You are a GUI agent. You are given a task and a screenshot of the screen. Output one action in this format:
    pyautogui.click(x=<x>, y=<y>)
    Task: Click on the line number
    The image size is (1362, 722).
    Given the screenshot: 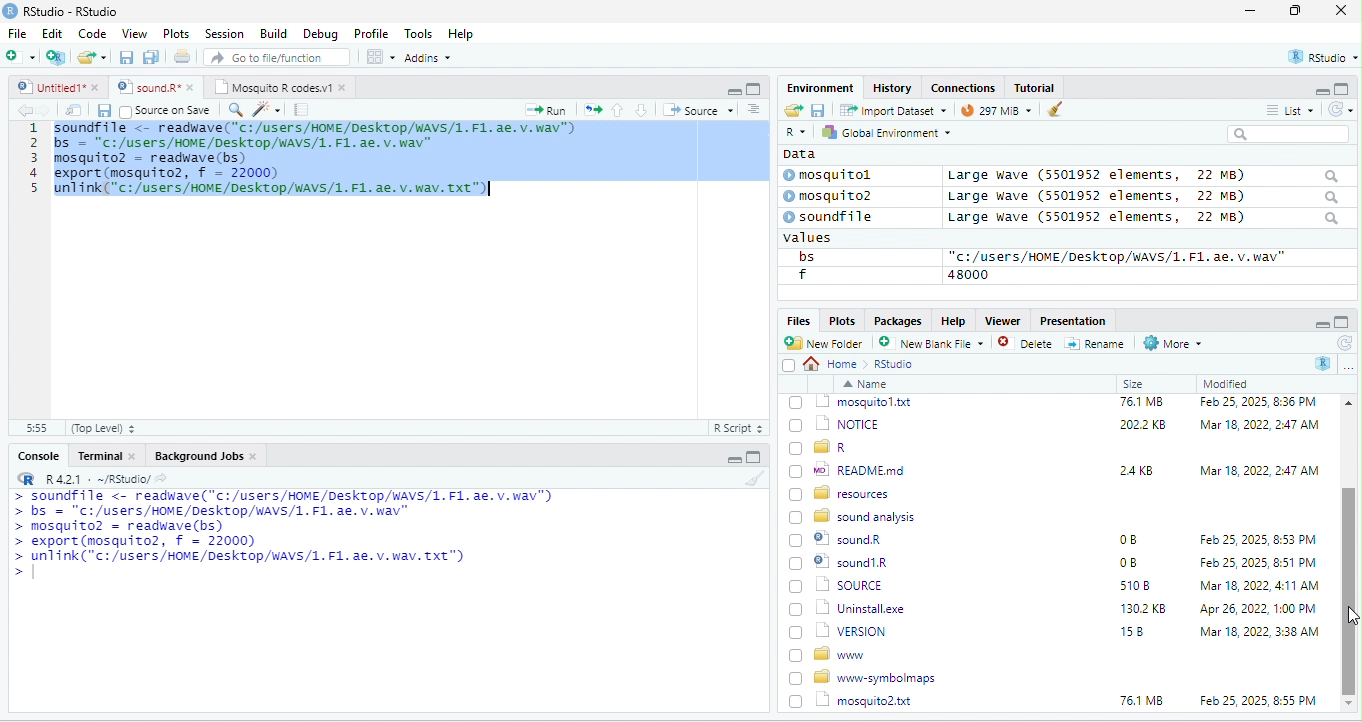 What is the action you would take?
    pyautogui.click(x=40, y=268)
    